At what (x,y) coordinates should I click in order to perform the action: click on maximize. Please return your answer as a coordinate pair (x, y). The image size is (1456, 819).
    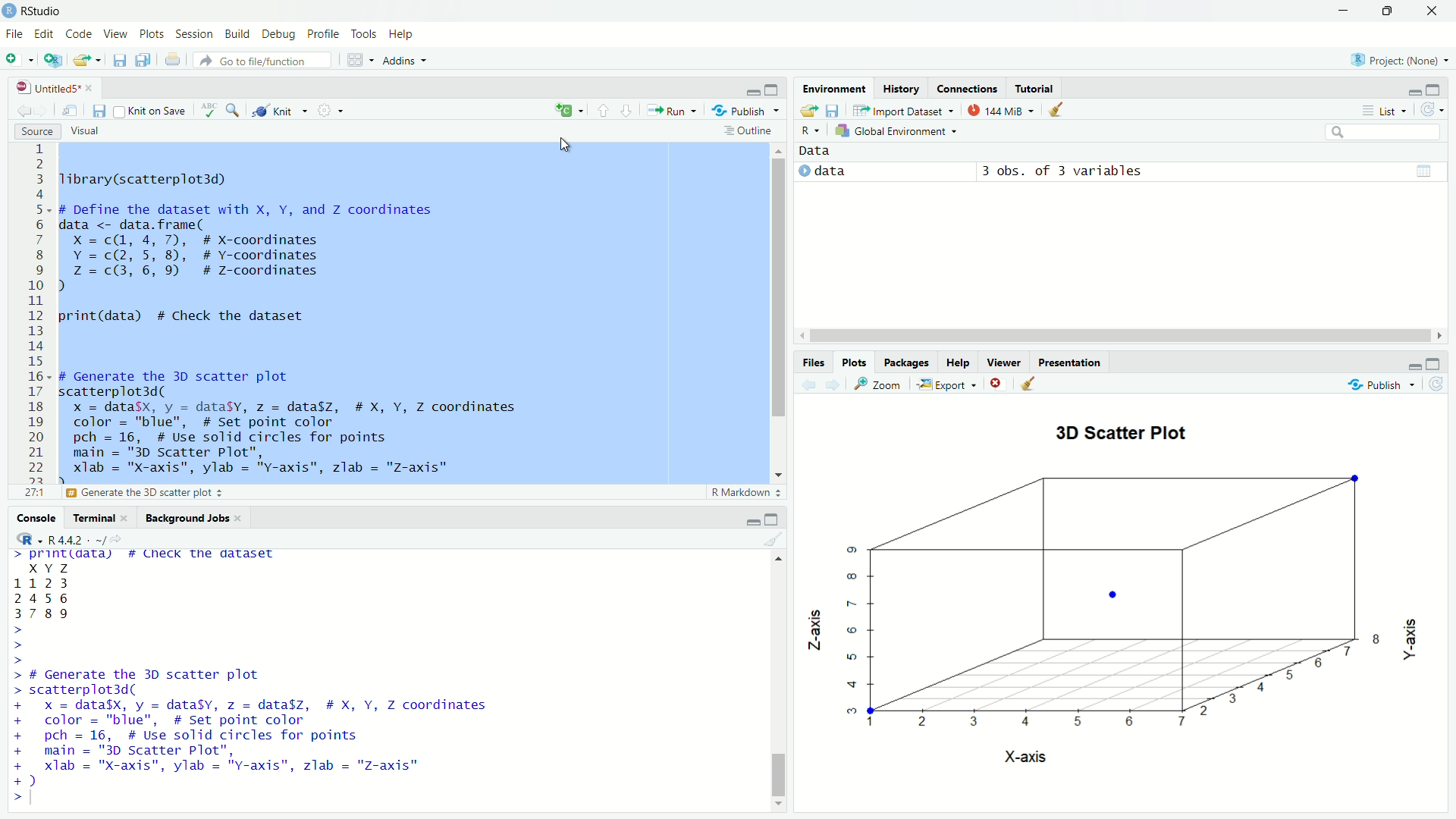
    Looking at the image, I should click on (1441, 361).